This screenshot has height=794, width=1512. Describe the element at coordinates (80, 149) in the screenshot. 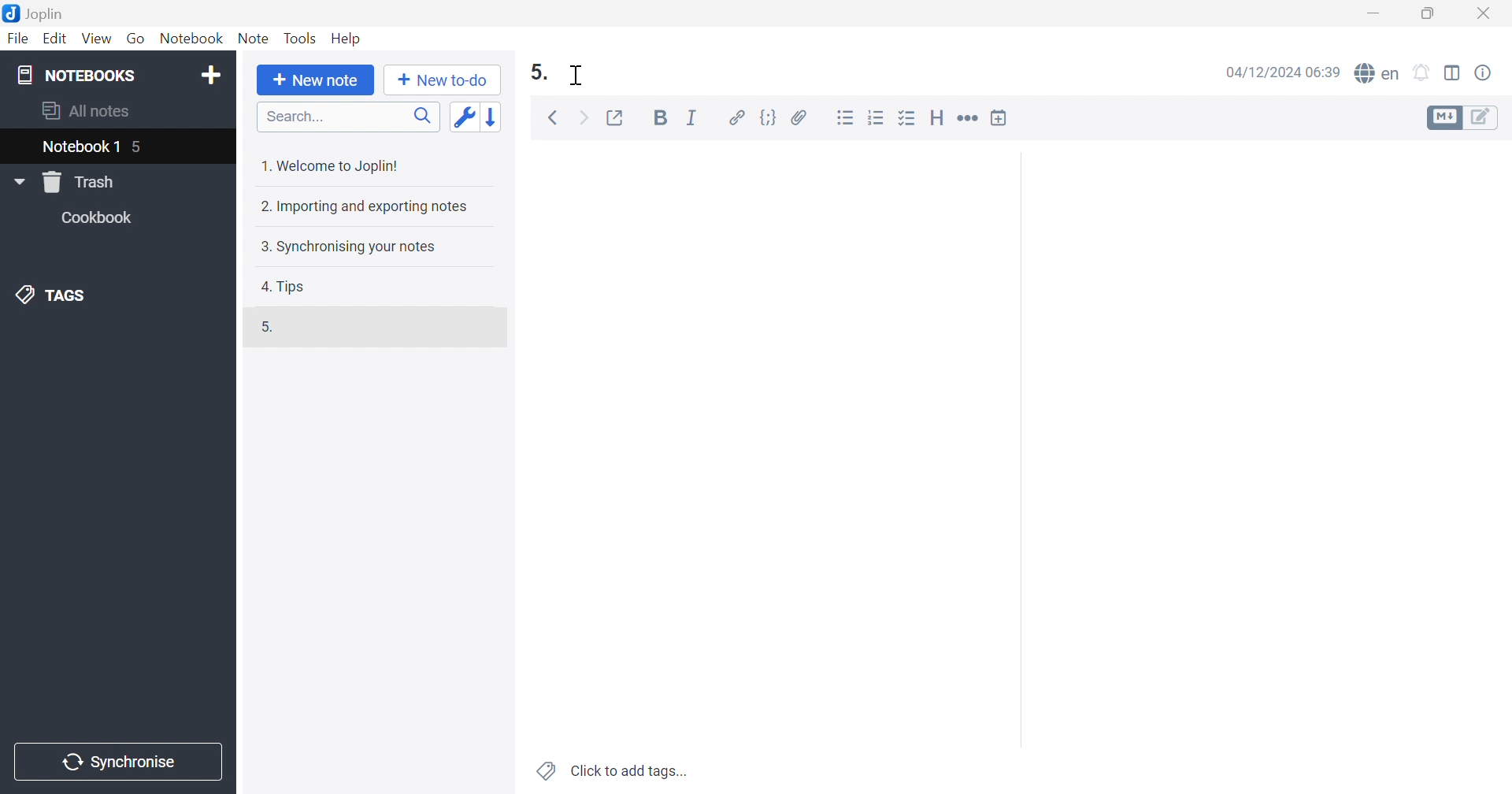

I see `Notebook 1` at that location.